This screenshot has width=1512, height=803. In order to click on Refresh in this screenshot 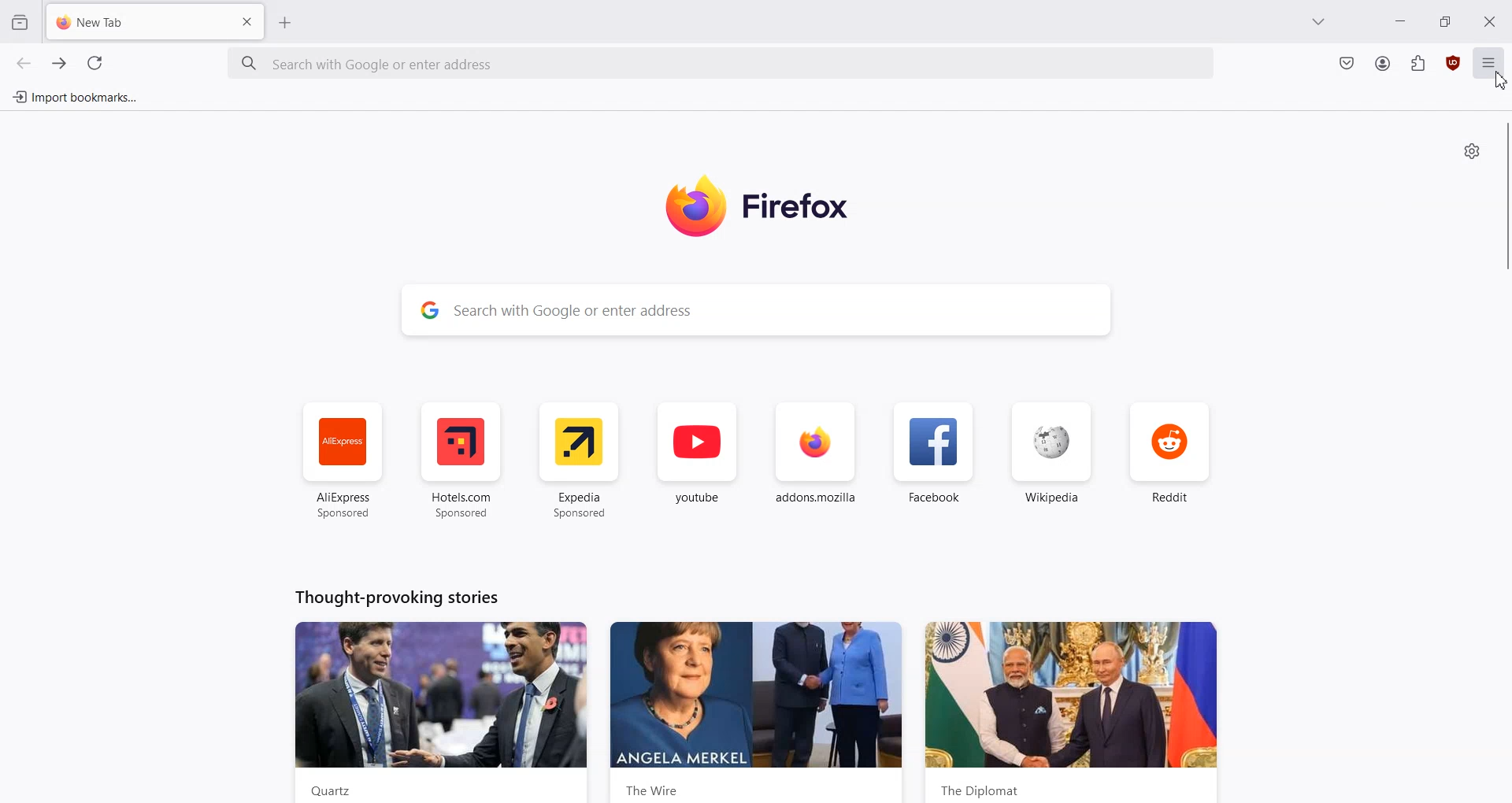, I will do `click(95, 63)`.